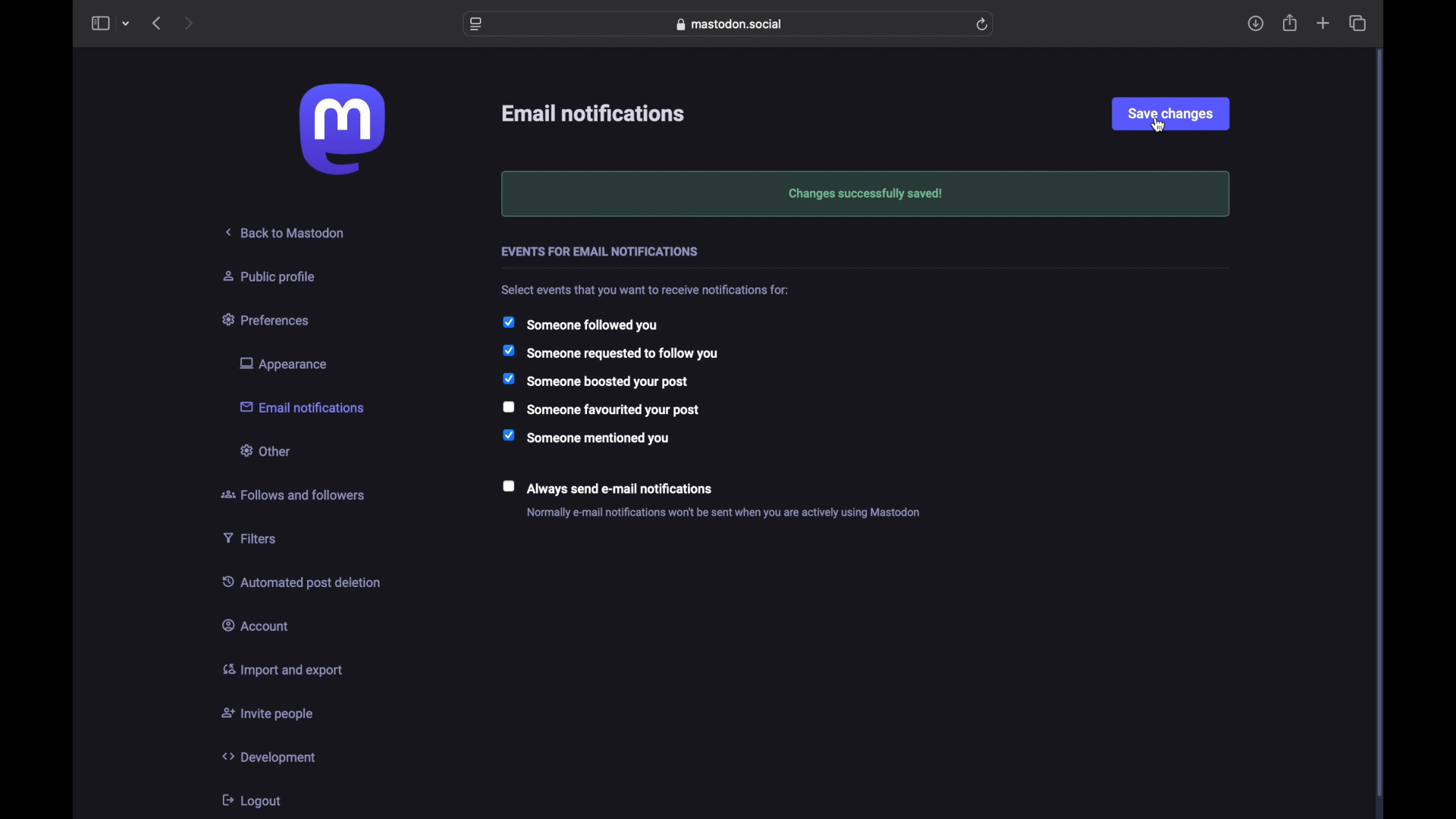 The height and width of the screenshot is (819, 1456). I want to click on scroll bar, so click(1380, 425).